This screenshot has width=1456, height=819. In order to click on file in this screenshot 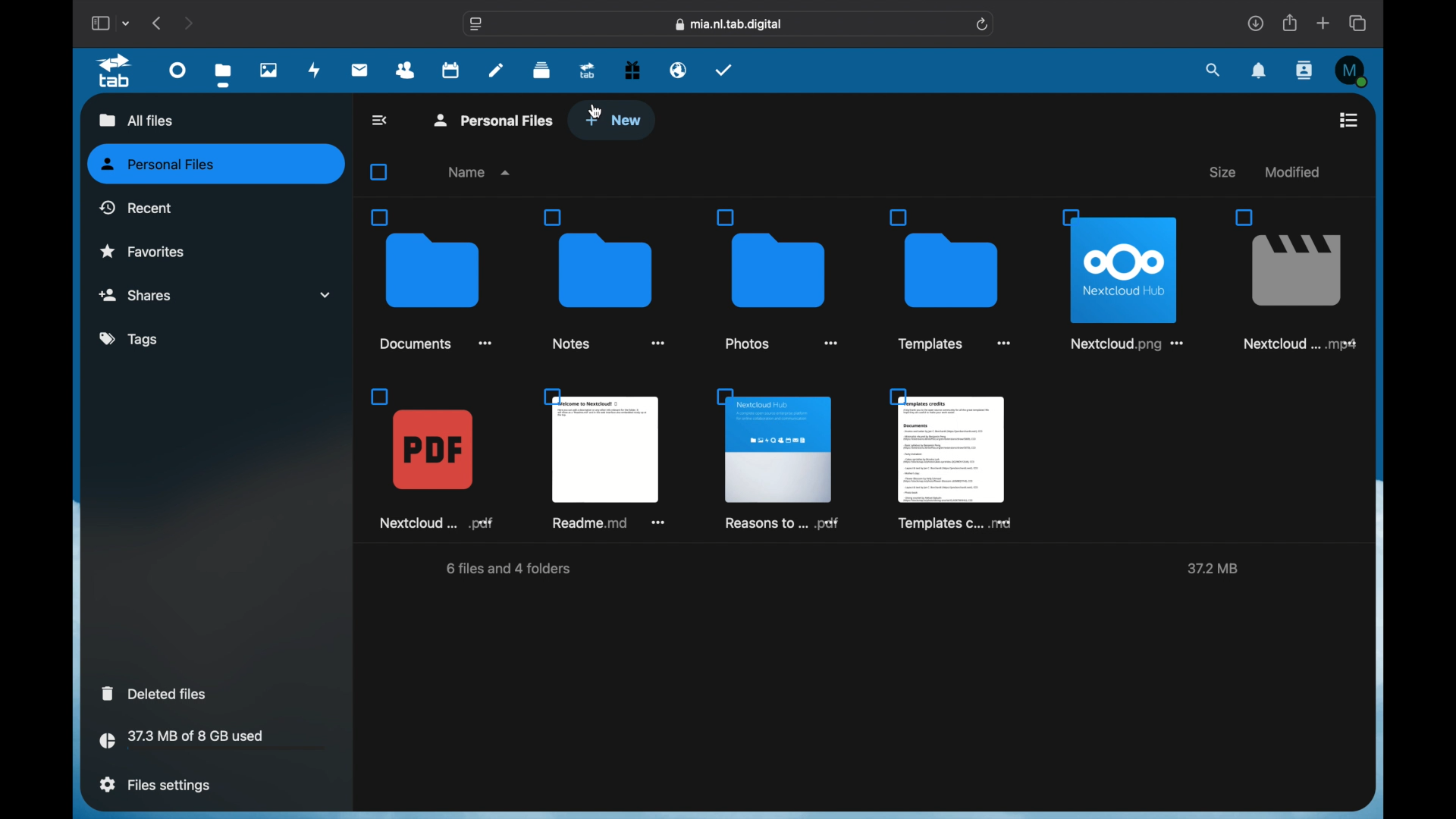, I will do `click(777, 459)`.